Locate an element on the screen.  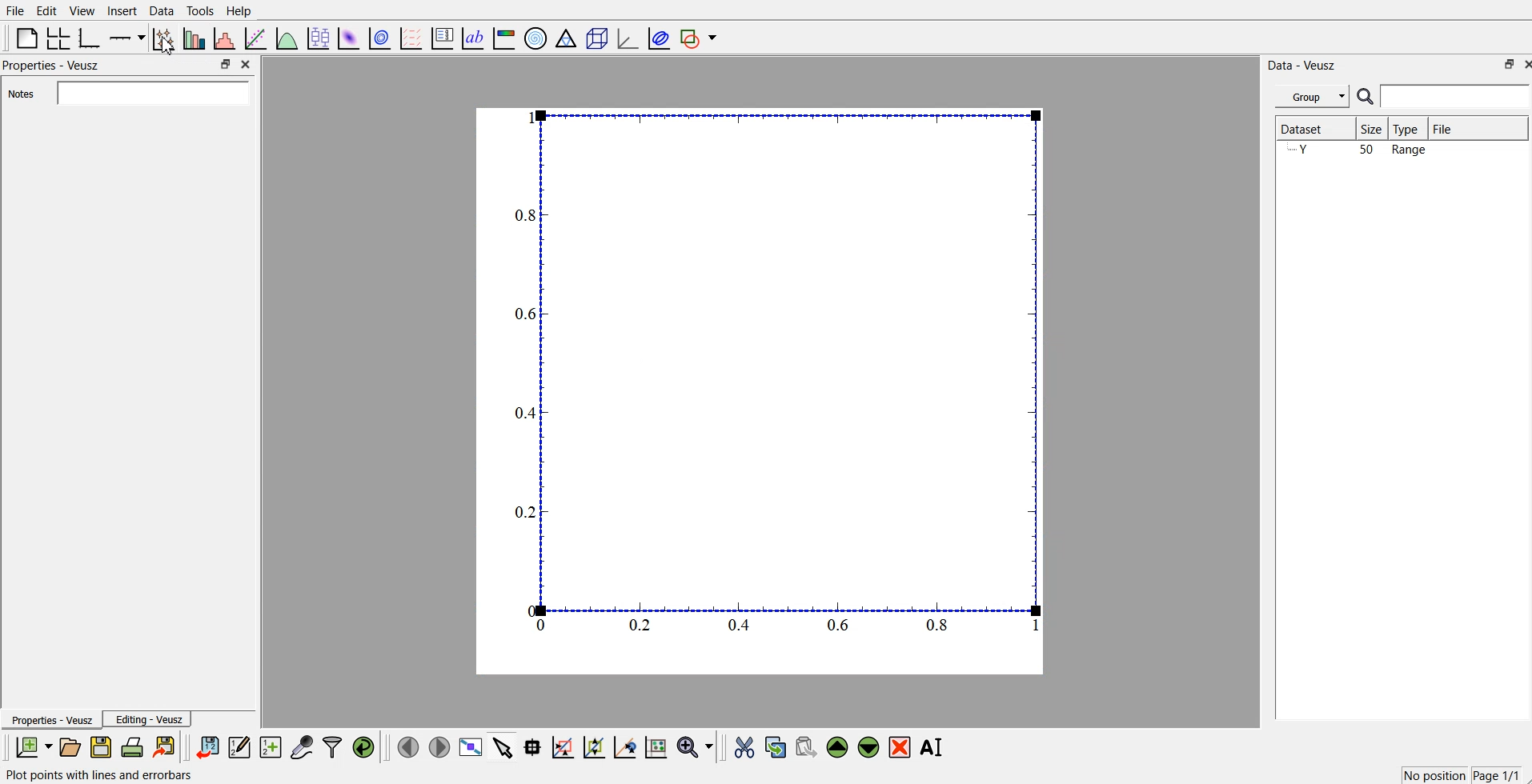
polar graph is located at coordinates (536, 37).